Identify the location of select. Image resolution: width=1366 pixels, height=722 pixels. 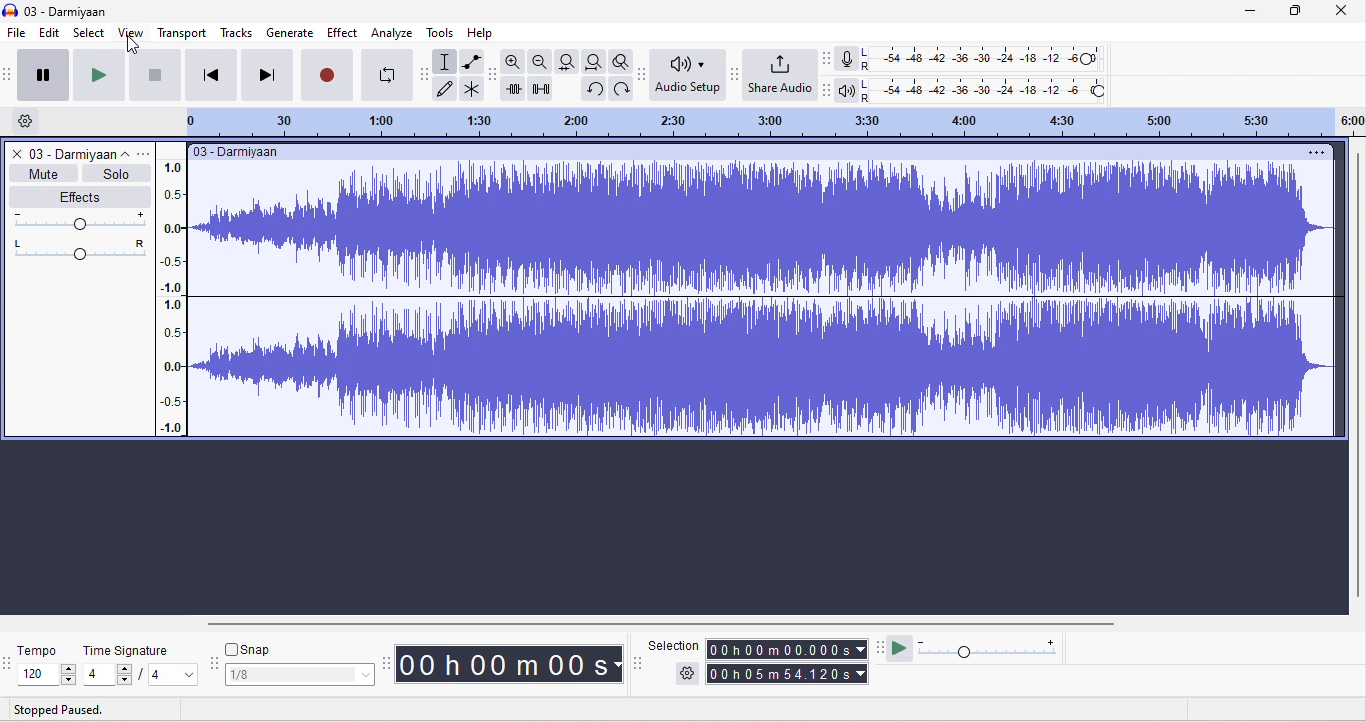
(88, 34).